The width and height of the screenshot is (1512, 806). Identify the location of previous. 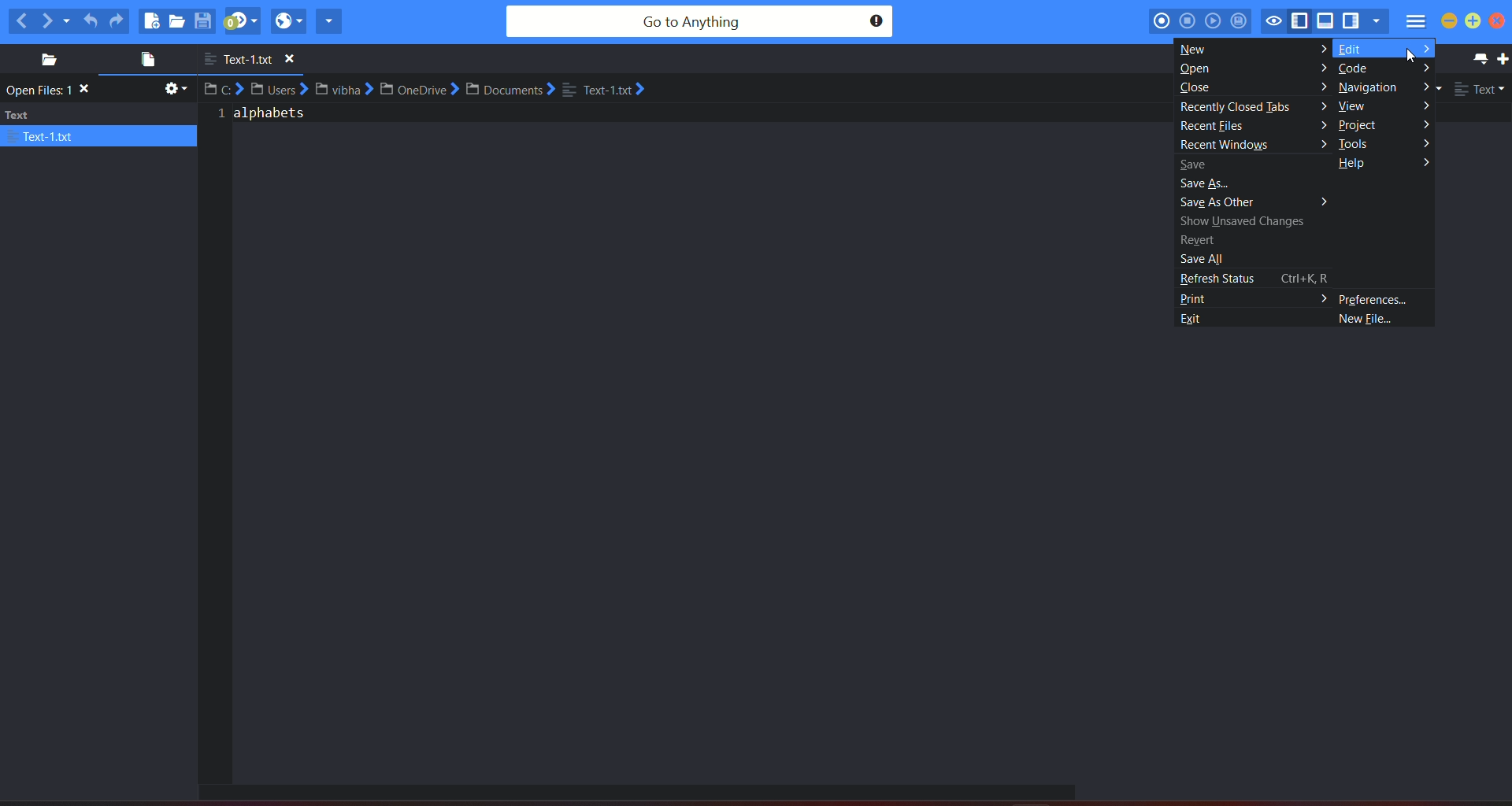
(20, 20).